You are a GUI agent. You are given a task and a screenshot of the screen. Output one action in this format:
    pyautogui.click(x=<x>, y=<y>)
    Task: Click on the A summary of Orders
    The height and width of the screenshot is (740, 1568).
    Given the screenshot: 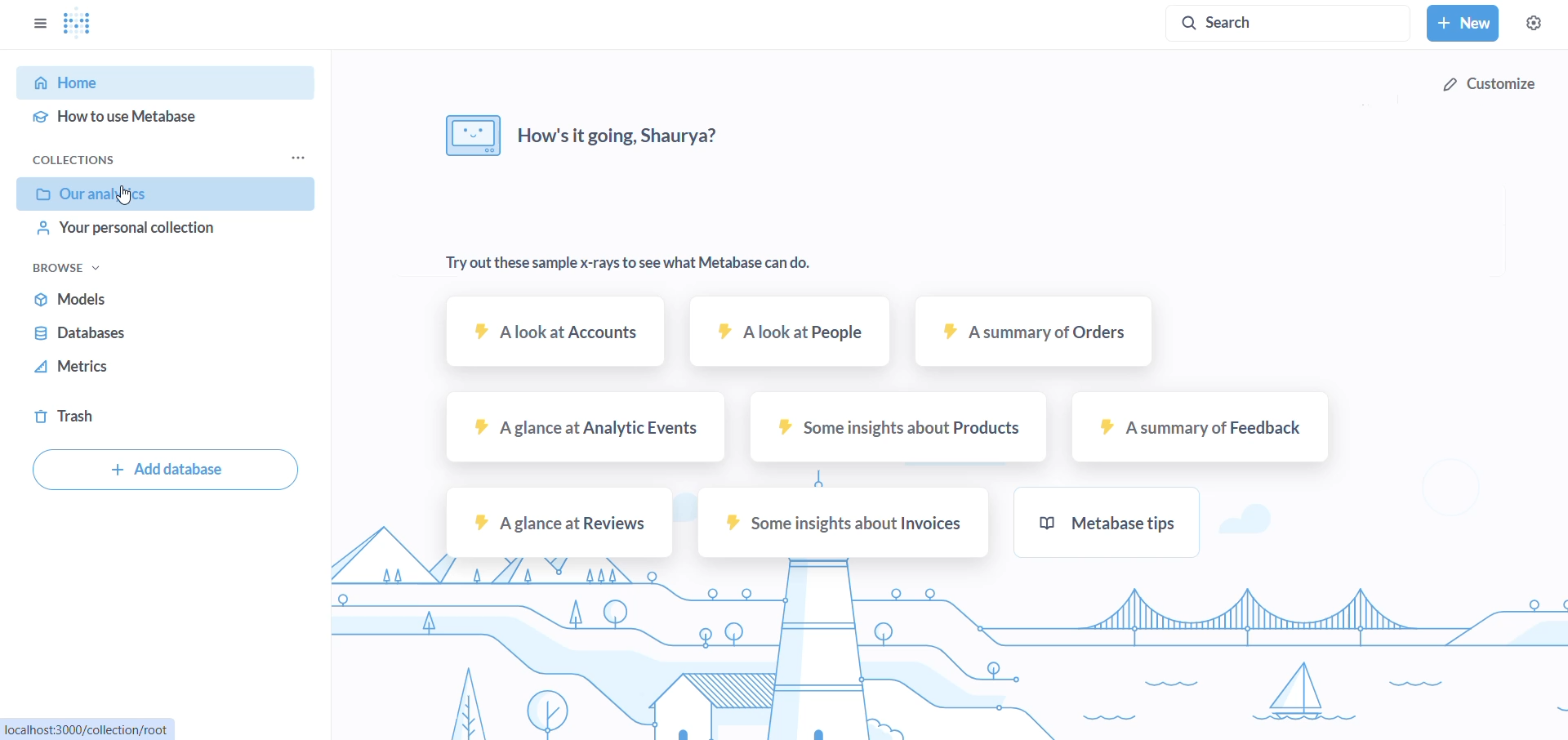 What is the action you would take?
    pyautogui.click(x=1031, y=337)
    